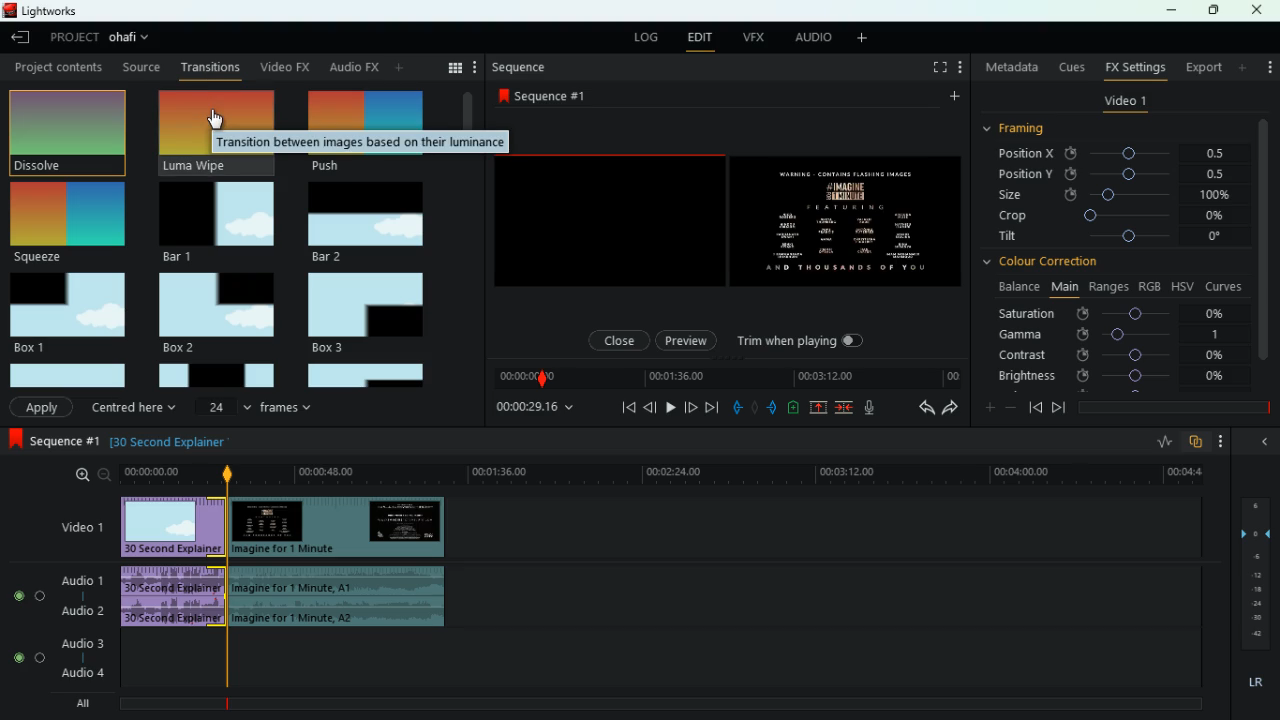 The height and width of the screenshot is (720, 1280). What do you see at coordinates (1254, 683) in the screenshot?
I see `lr` at bounding box center [1254, 683].